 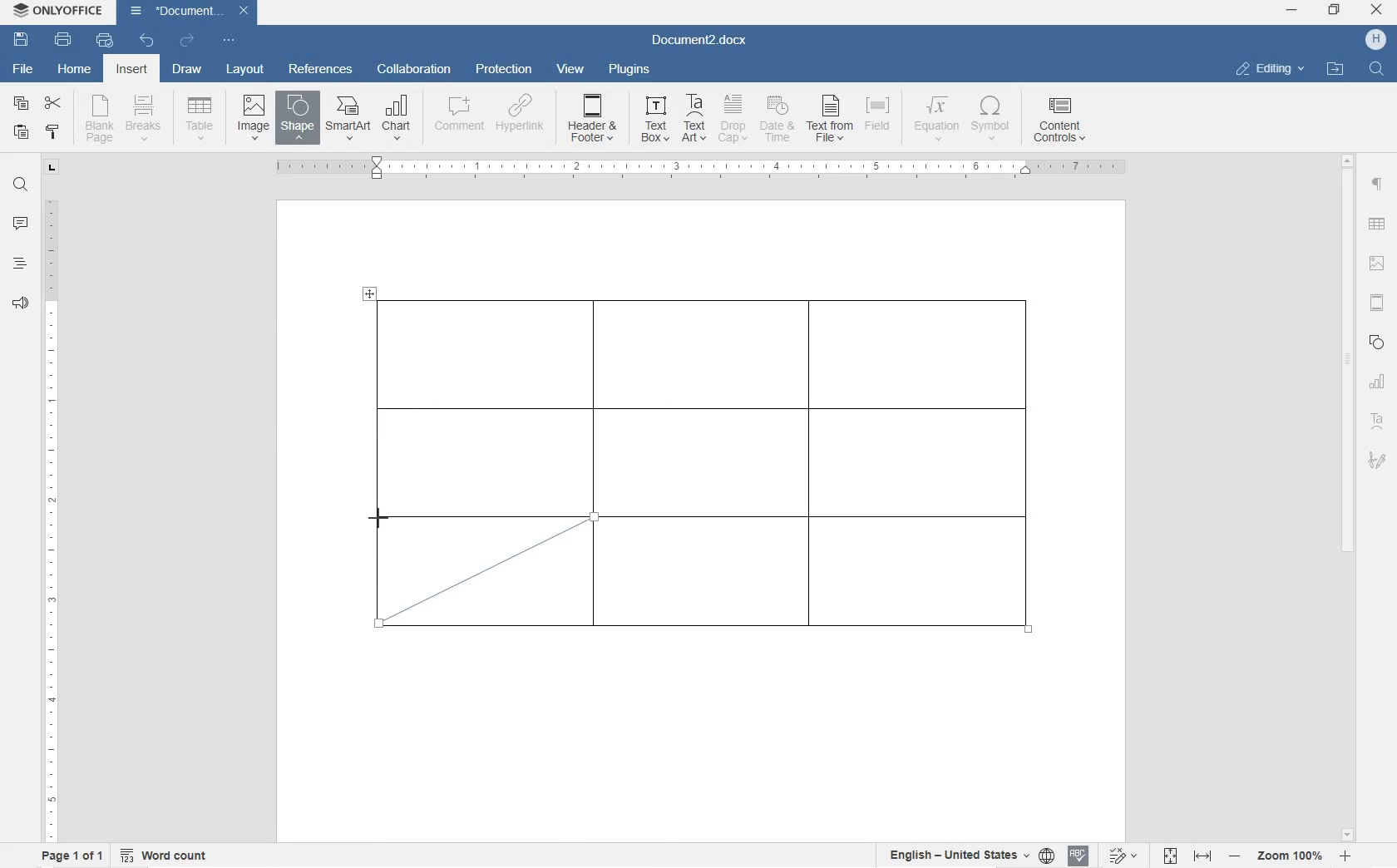 I want to click on insert image, so click(x=254, y=116).